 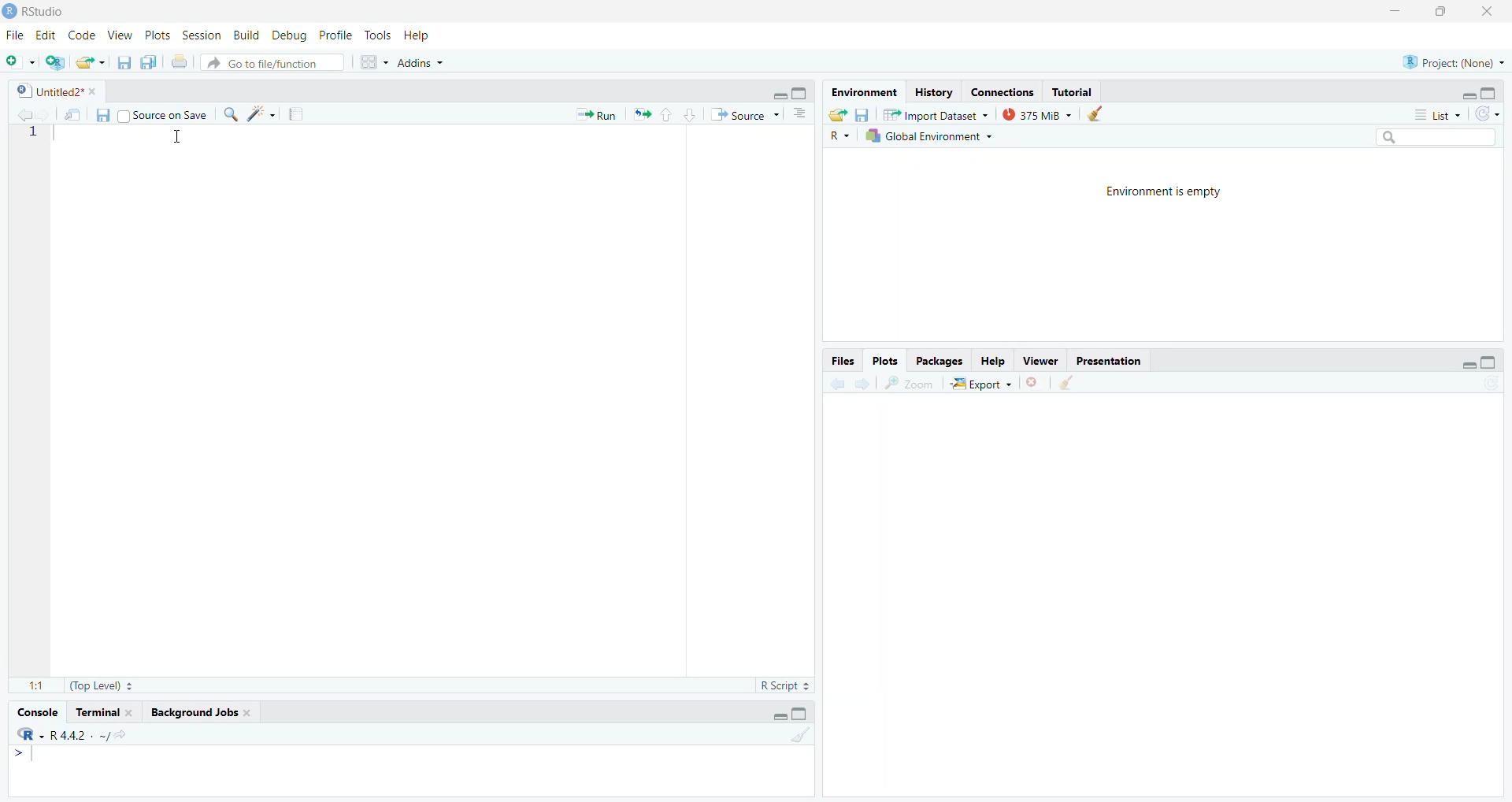 I want to click on background Jobs, so click(x=200, y=715).